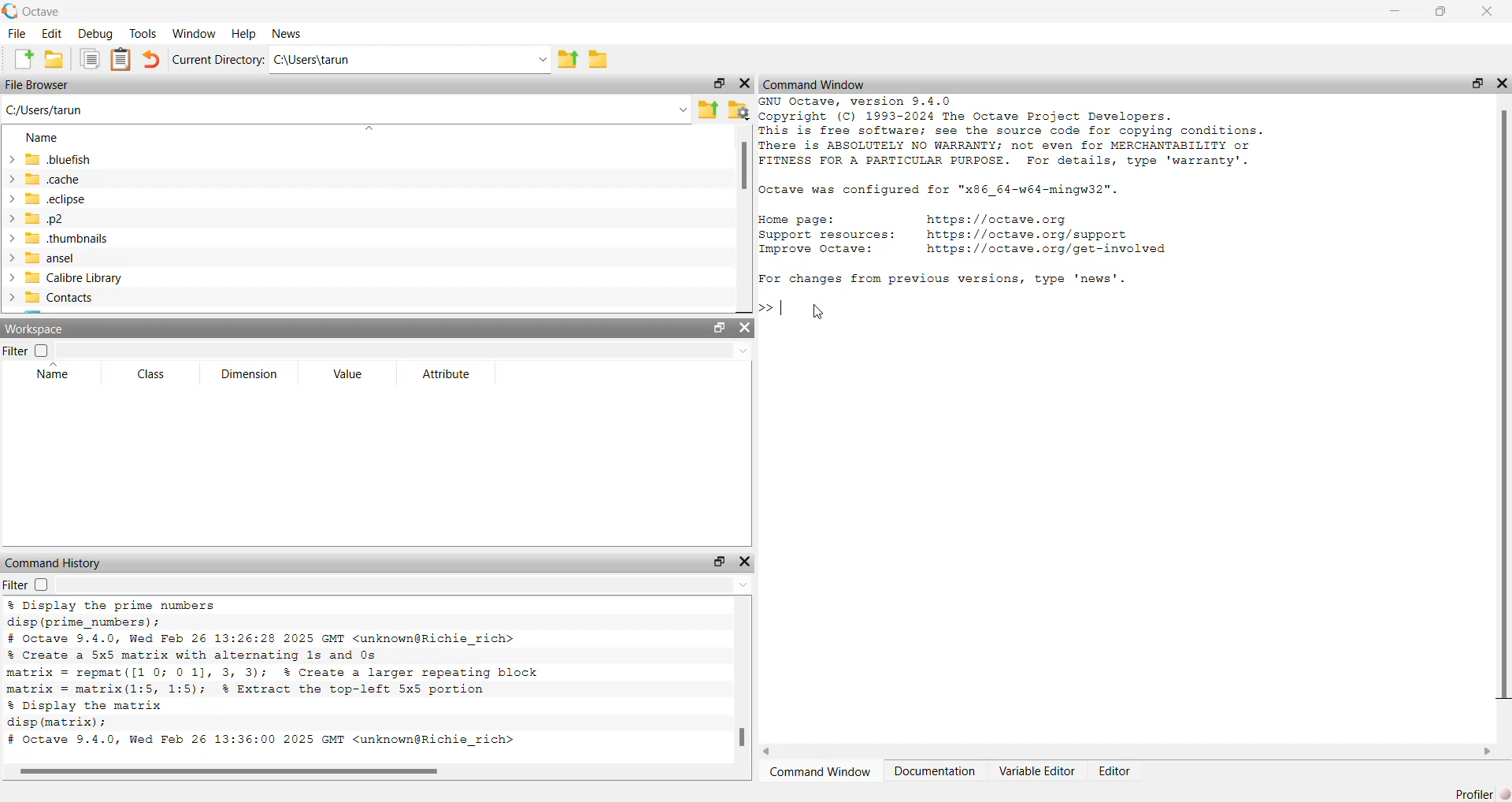 The width and height of the screenshot is (1512, 802). What do you see at coordinates (349, 377) in the screenshot?
I see `value` at bounding box center [349, 377].